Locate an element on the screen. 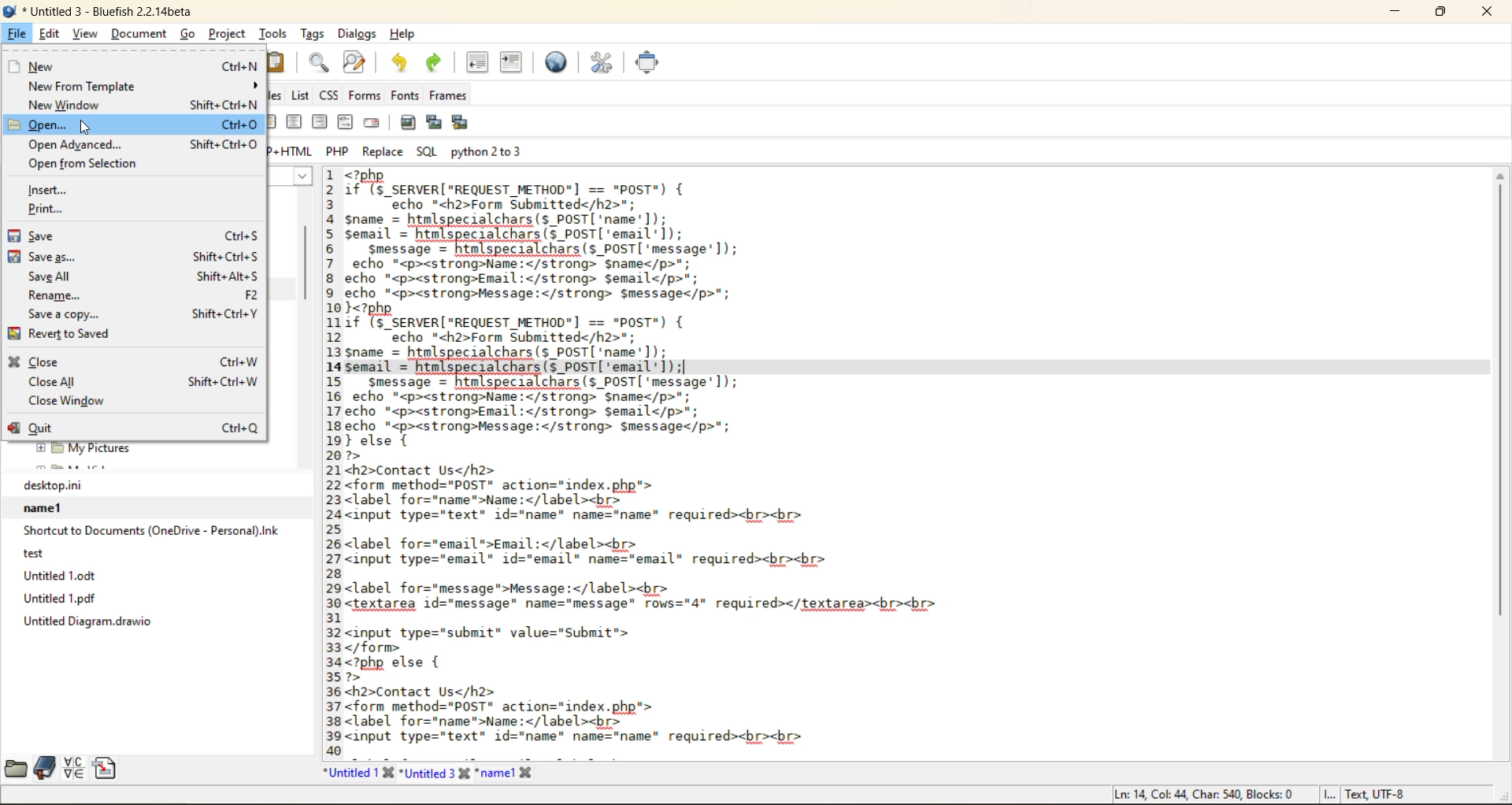 The width and height of the screenshot is (1512, 805). code editor is located at coordinates (784, 458).